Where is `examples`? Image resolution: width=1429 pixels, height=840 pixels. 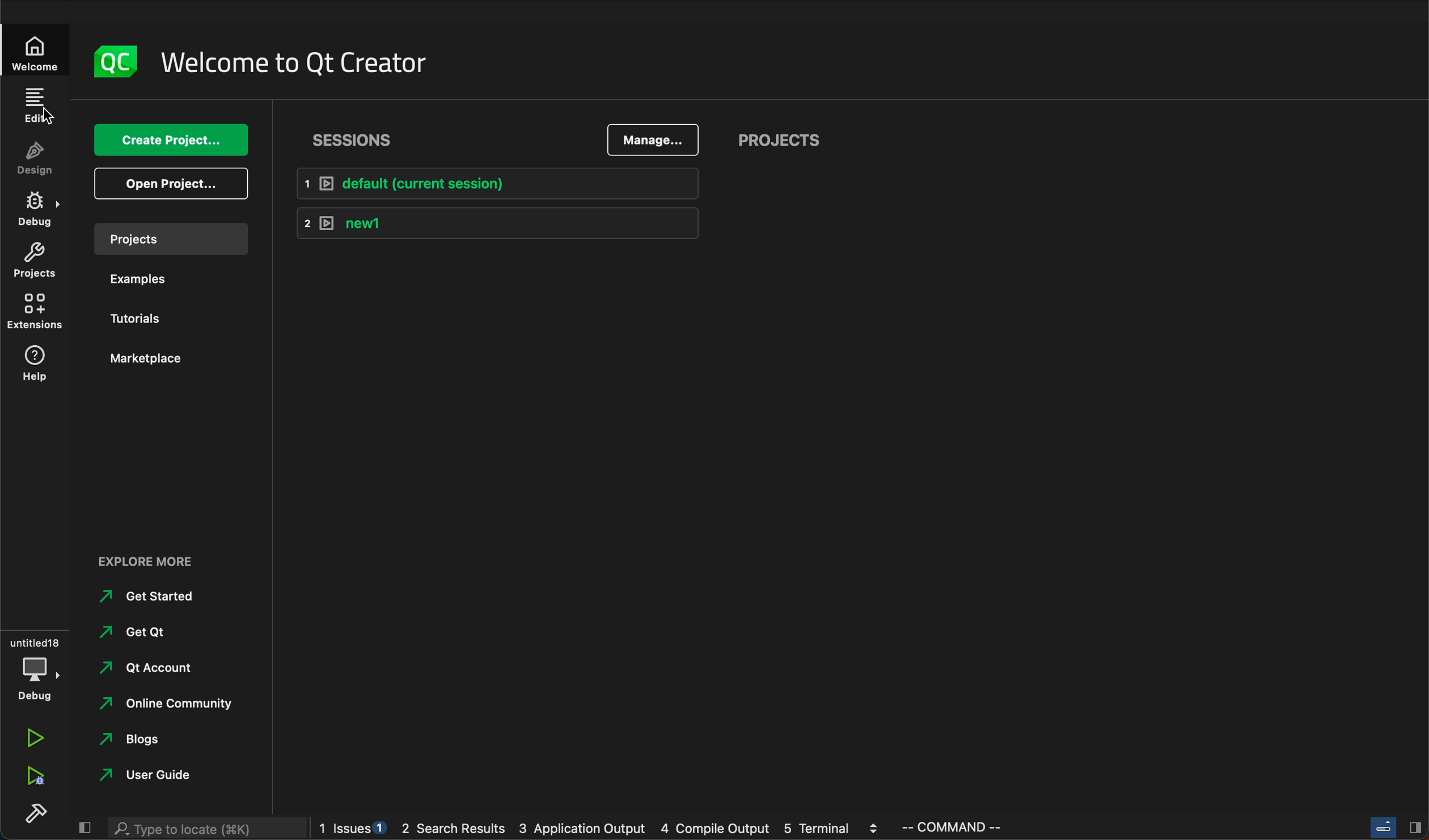
examples is located at coordinates (143, 279).